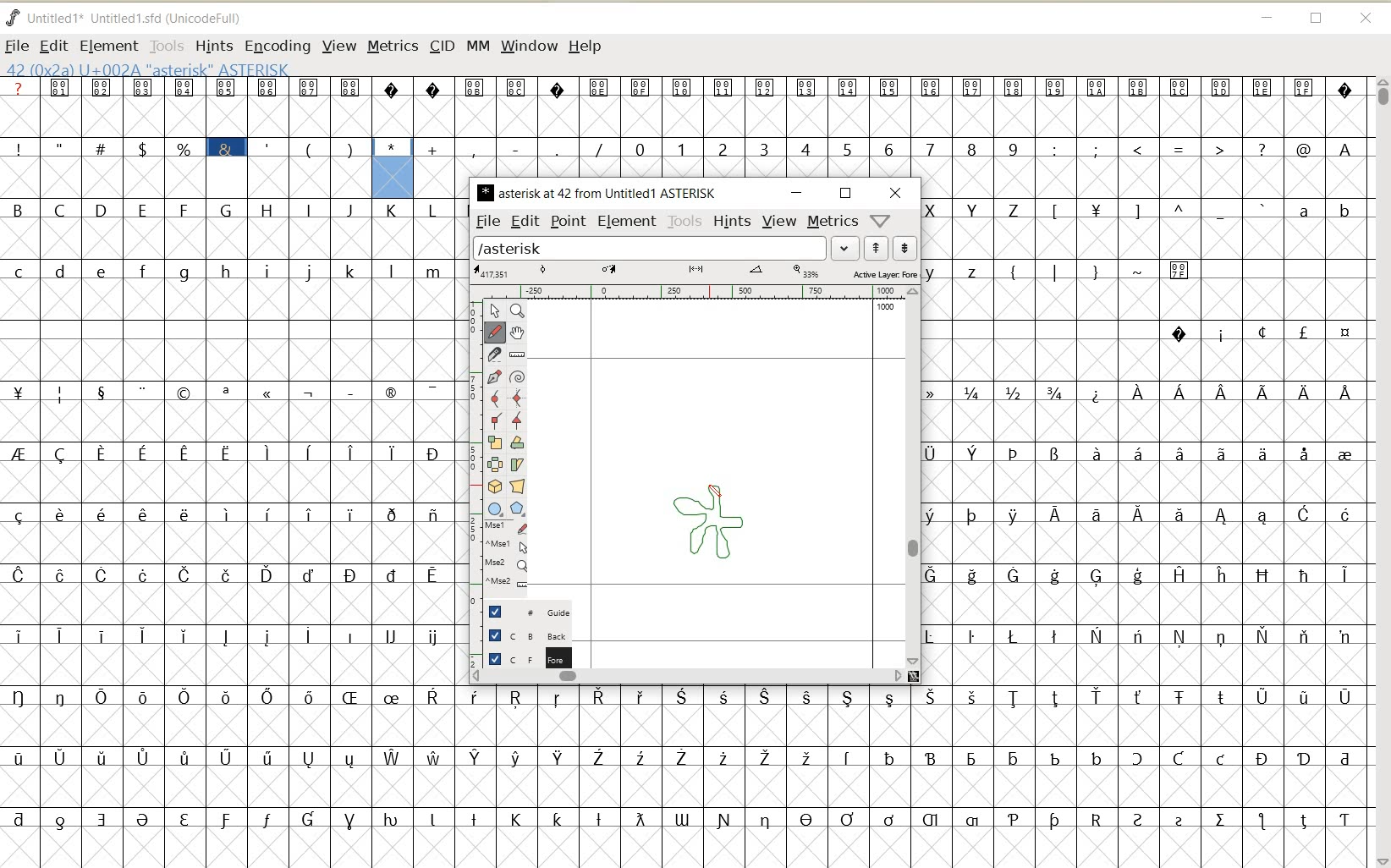 This screenshot has height=868, width=1391. I want to click on draw a freehand curve, so click(494, 333).